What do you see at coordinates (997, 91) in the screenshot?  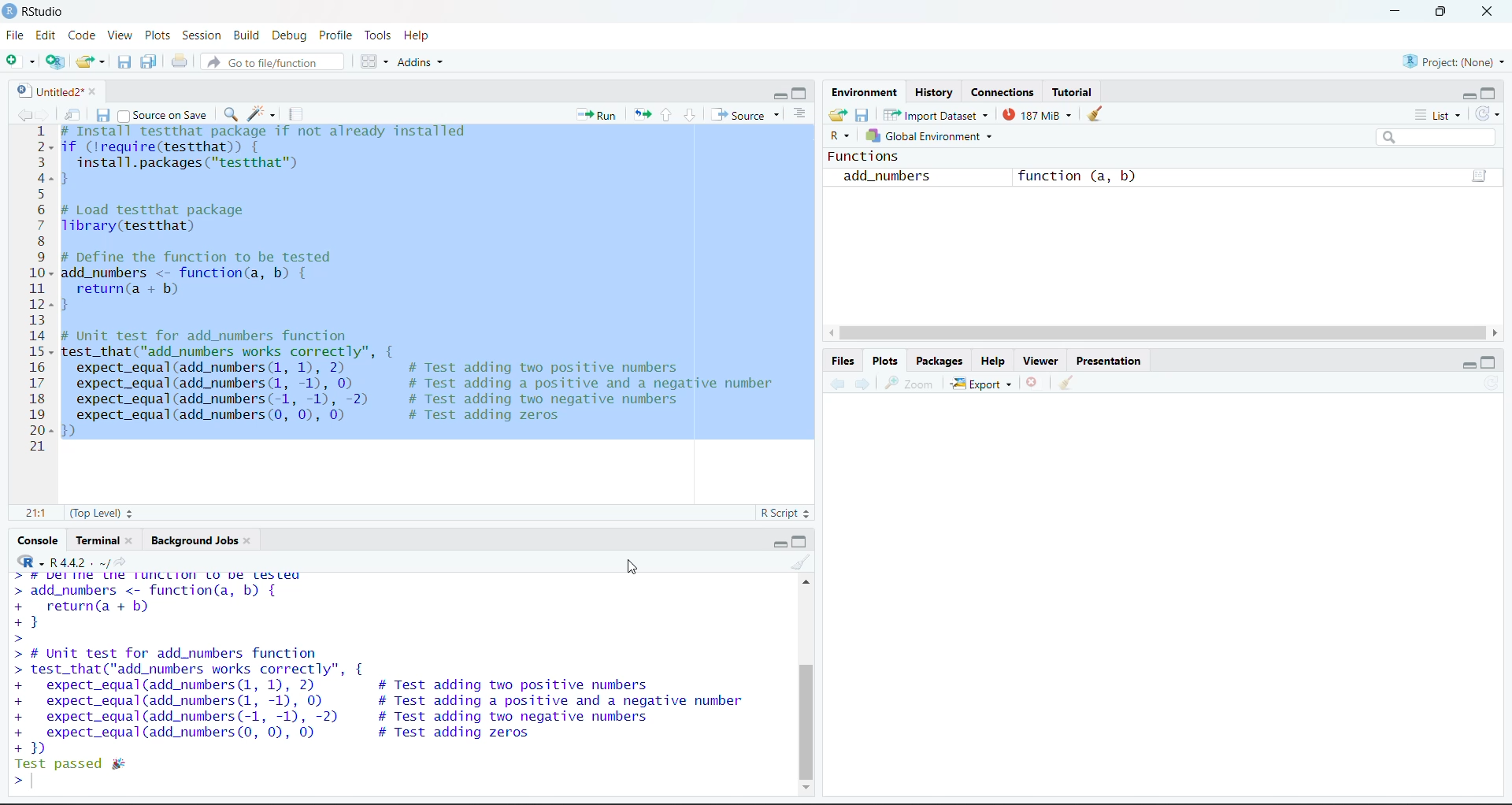 I see `Connections` at bounding box center [997, 91].